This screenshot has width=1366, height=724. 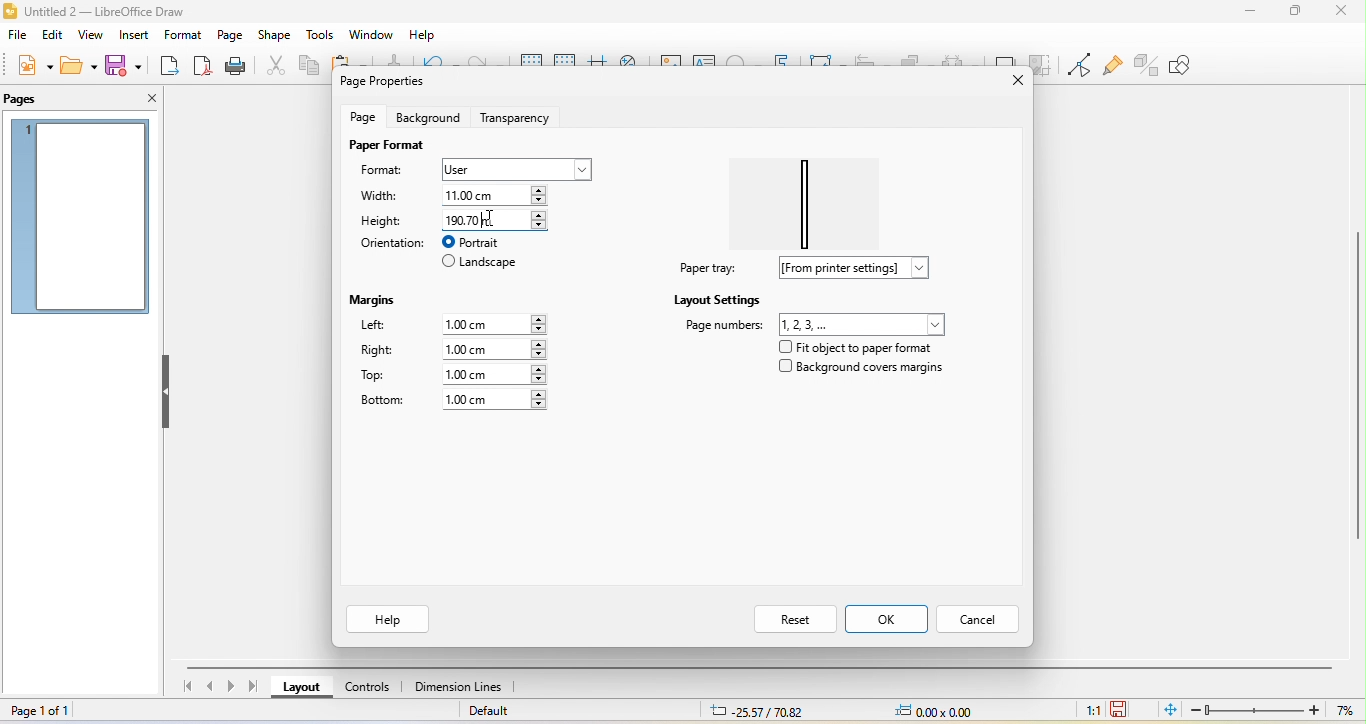 What do you see at coordinates (816, 323) in the screenshot?
I see `page number` at bounding box center [816, 323].